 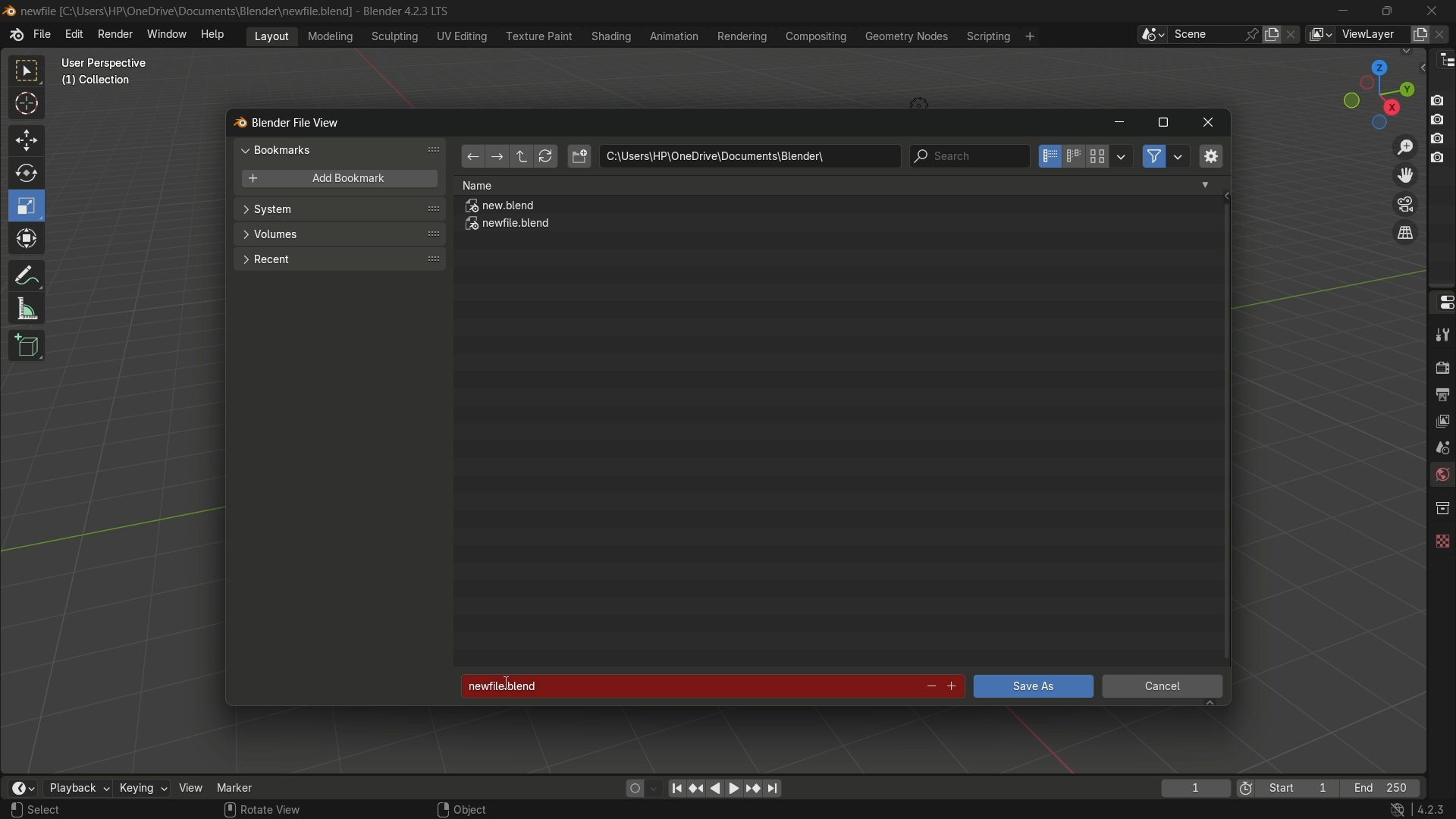 What do you see at coordinates (1119, 124) in the screenshot?
I see `minimize` at bounding box center [1119, 124].